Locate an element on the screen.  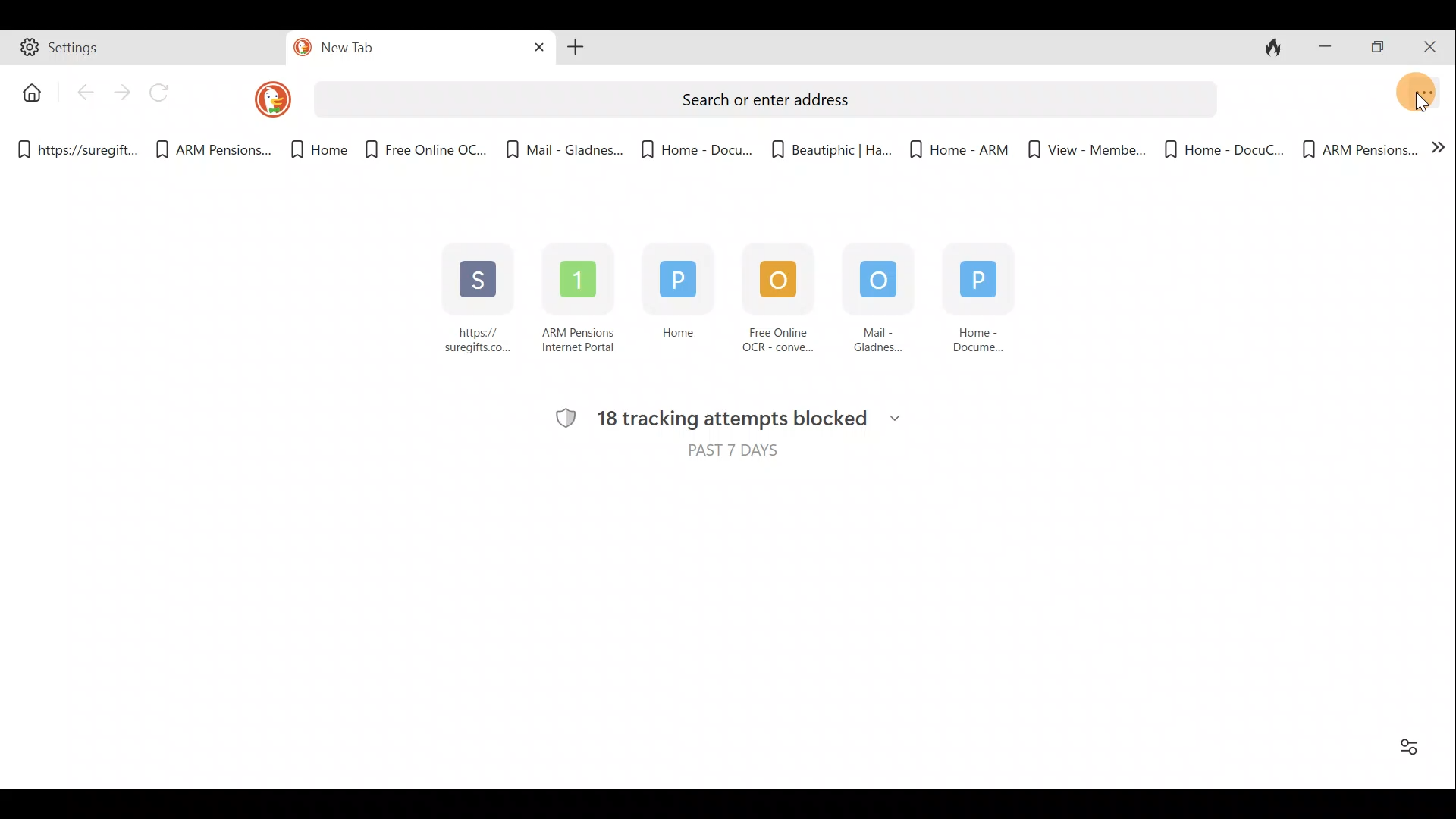
Close tab is located at coordinates (534, 48).